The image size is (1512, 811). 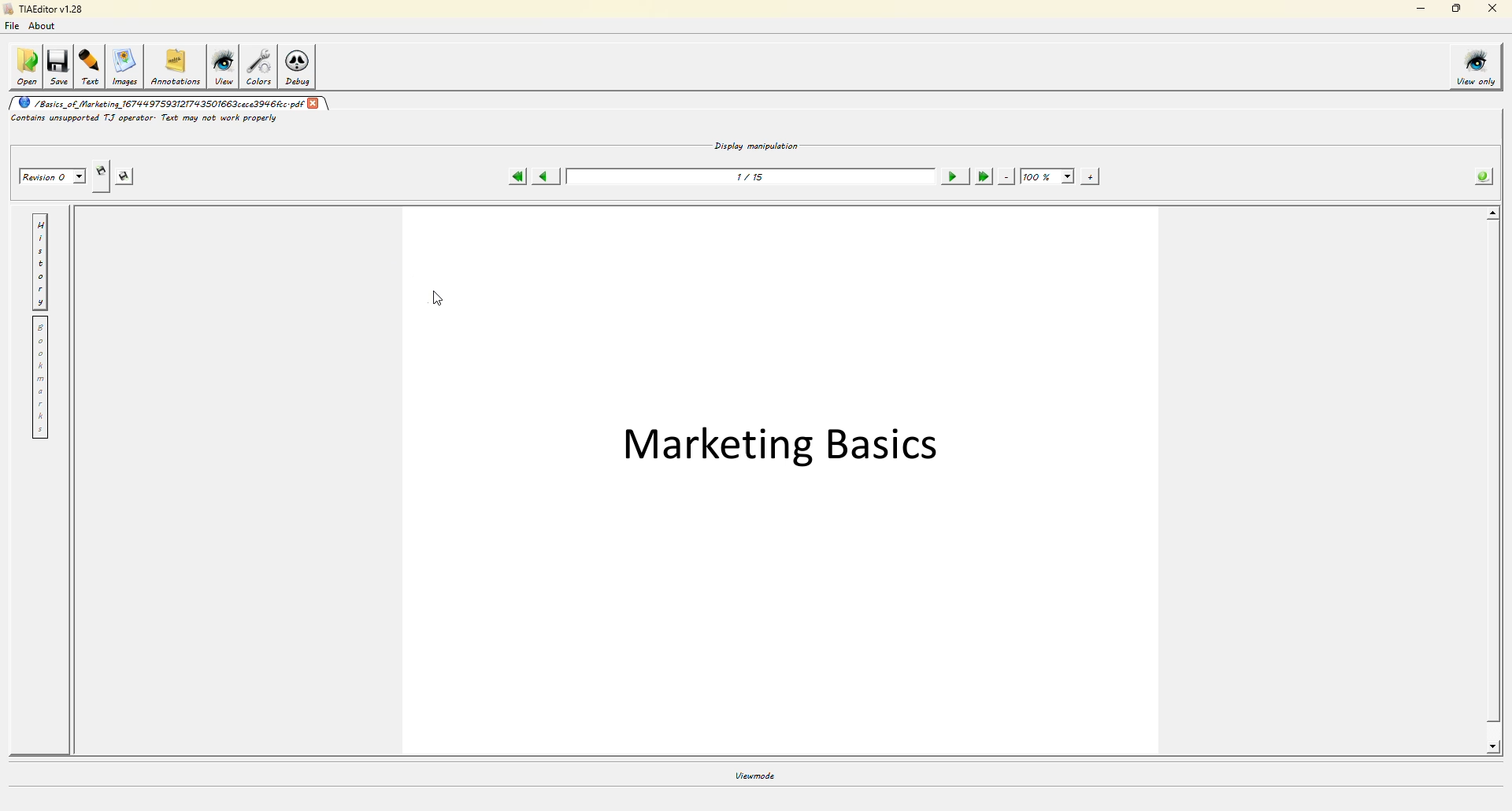 What do you see at coordinates (748, 146) in the screenshot?
I see `display manipulation` at bounding box center [748, 146].